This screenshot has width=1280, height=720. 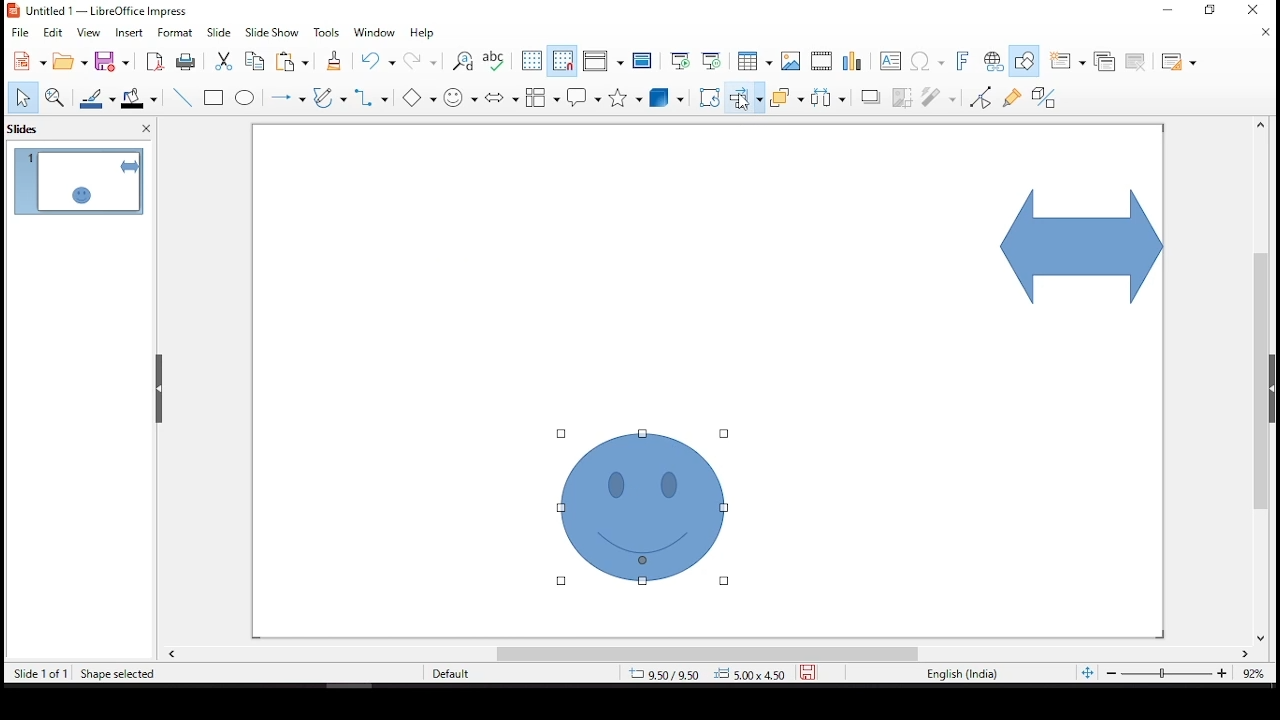 What do you see at coordinates (494, 63) in the screenshot?
I see `spell check` at bounding box center [494, 63].